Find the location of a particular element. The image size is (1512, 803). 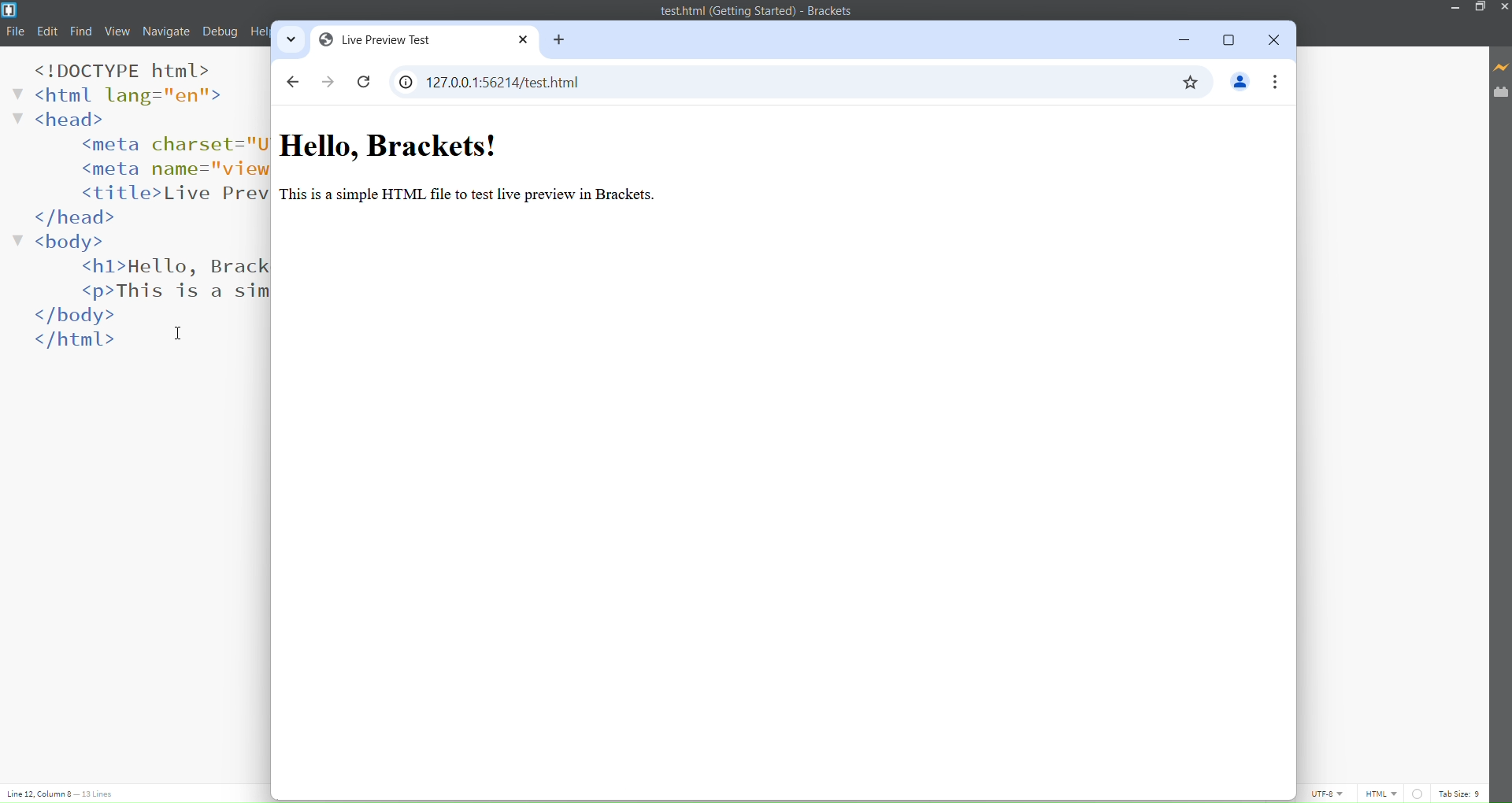

Navigate is located at coordinates (166, 32).